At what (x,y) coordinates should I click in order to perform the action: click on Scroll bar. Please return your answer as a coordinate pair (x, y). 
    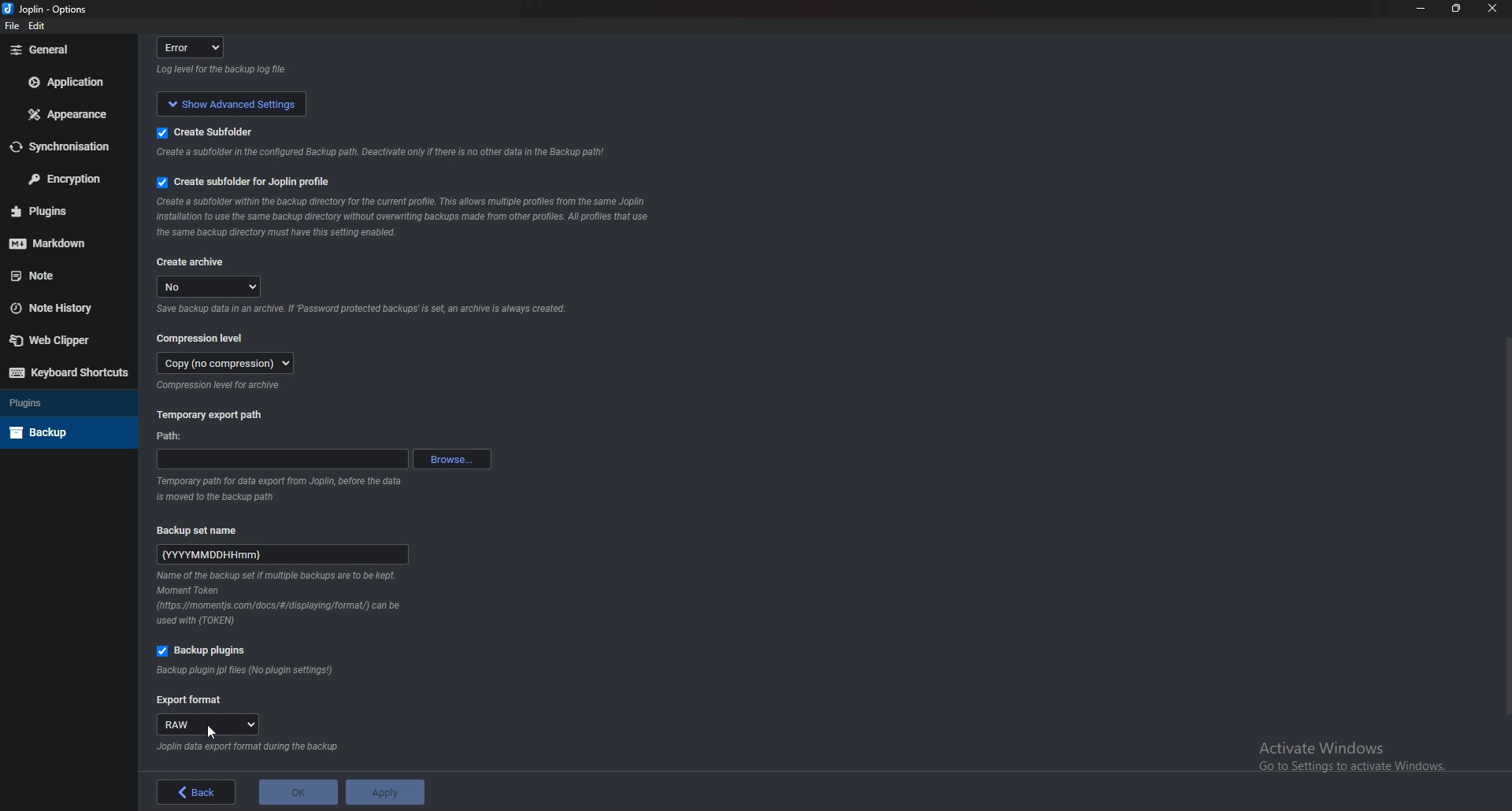
    Looking at the image, I should click on (1503, 525).